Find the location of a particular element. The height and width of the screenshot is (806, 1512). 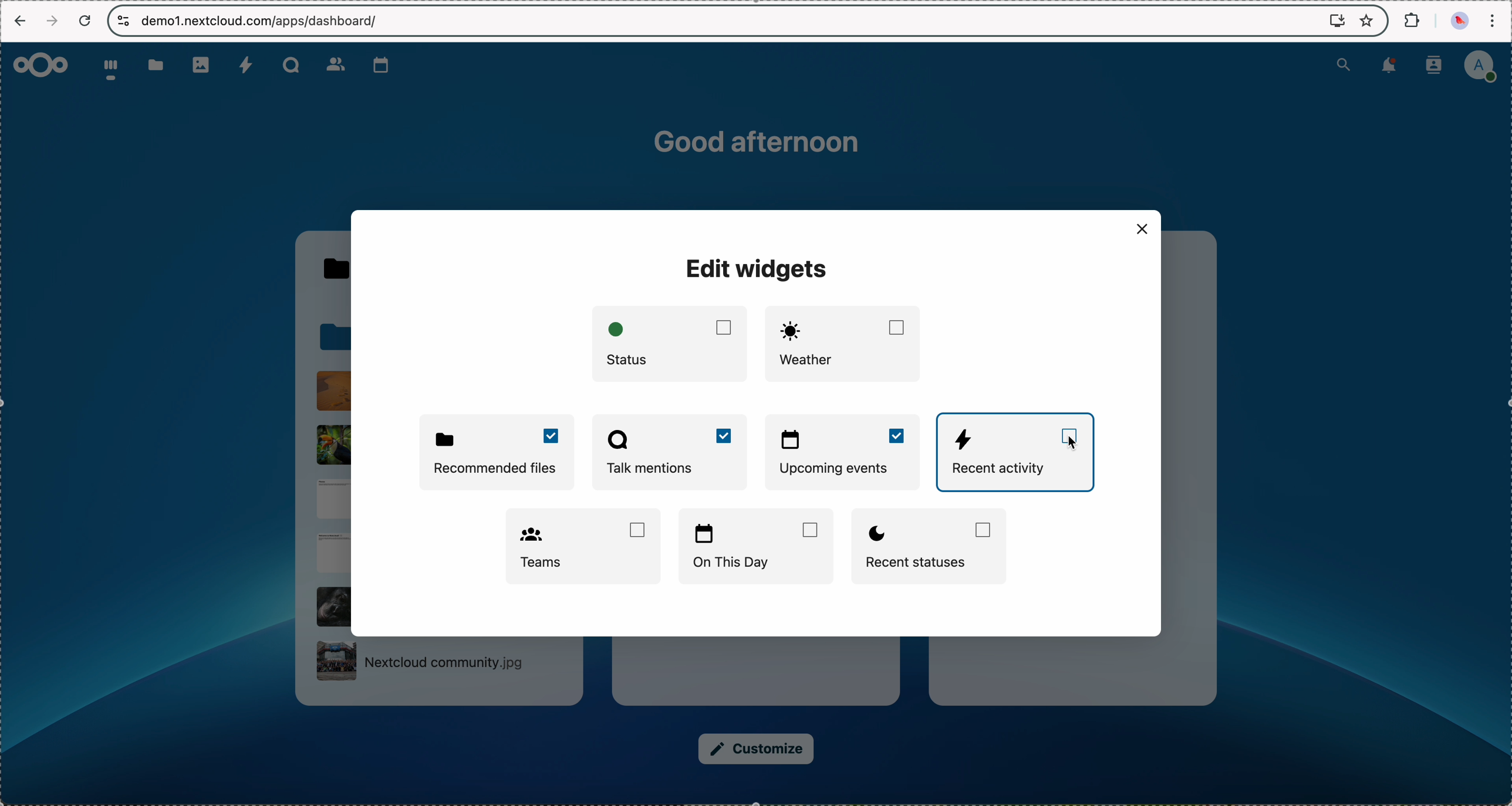

Talk folder is located at coordinates (332, 272).